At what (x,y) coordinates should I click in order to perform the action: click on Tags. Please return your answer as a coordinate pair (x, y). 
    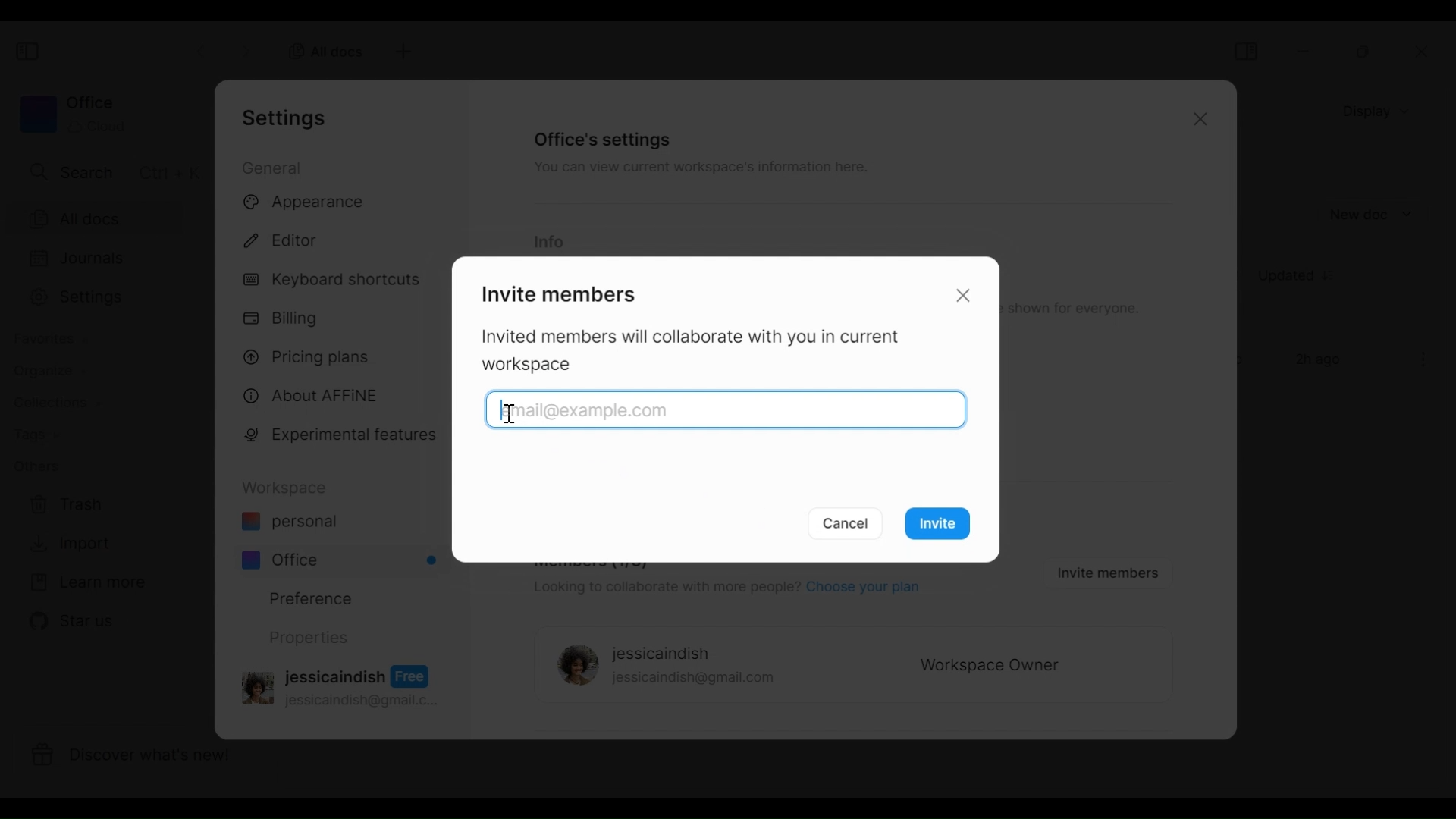
    Looking at the image, I should click on (36, 436).